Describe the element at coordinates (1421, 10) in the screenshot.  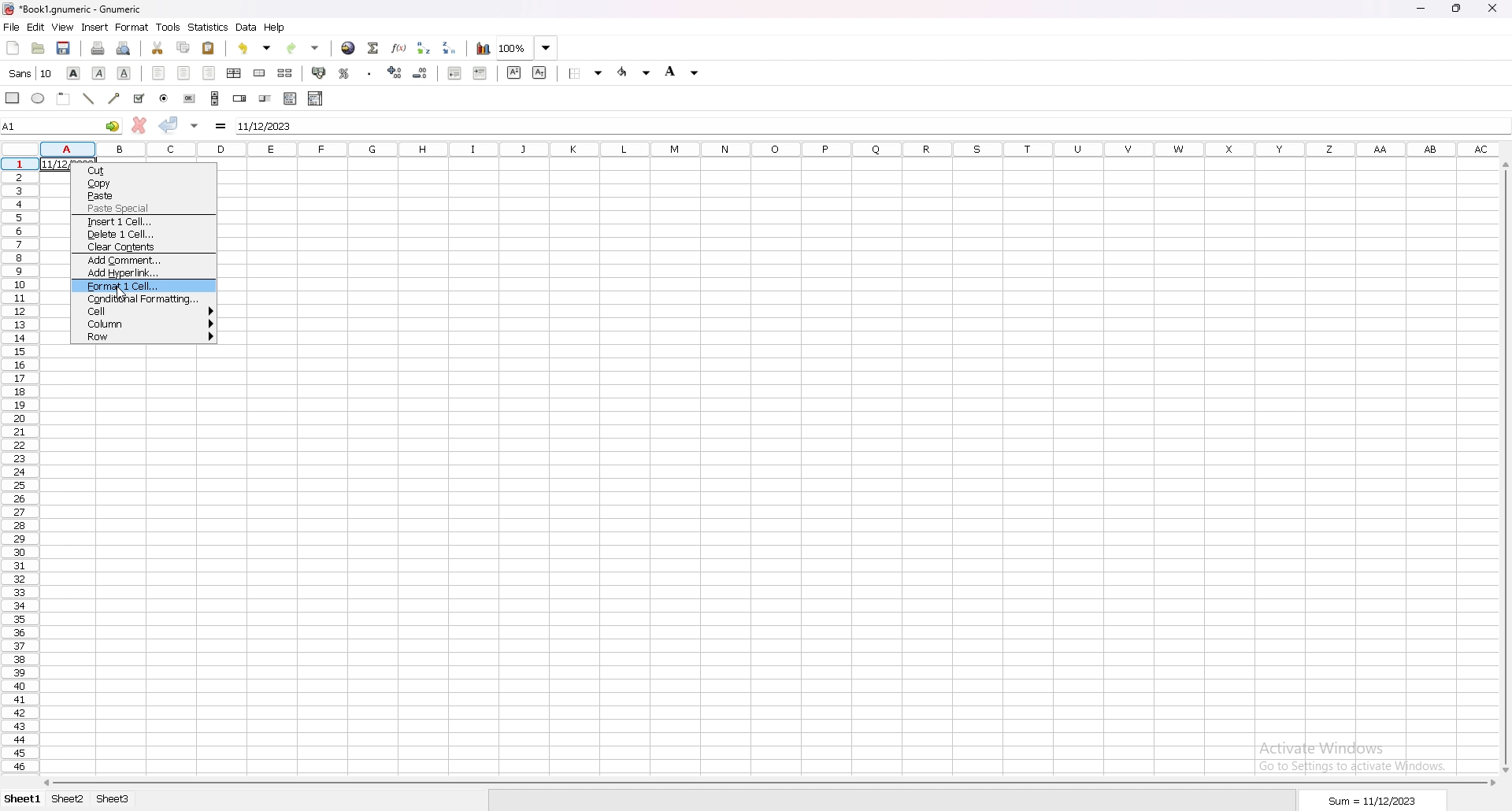
I see `minimize` at that location.